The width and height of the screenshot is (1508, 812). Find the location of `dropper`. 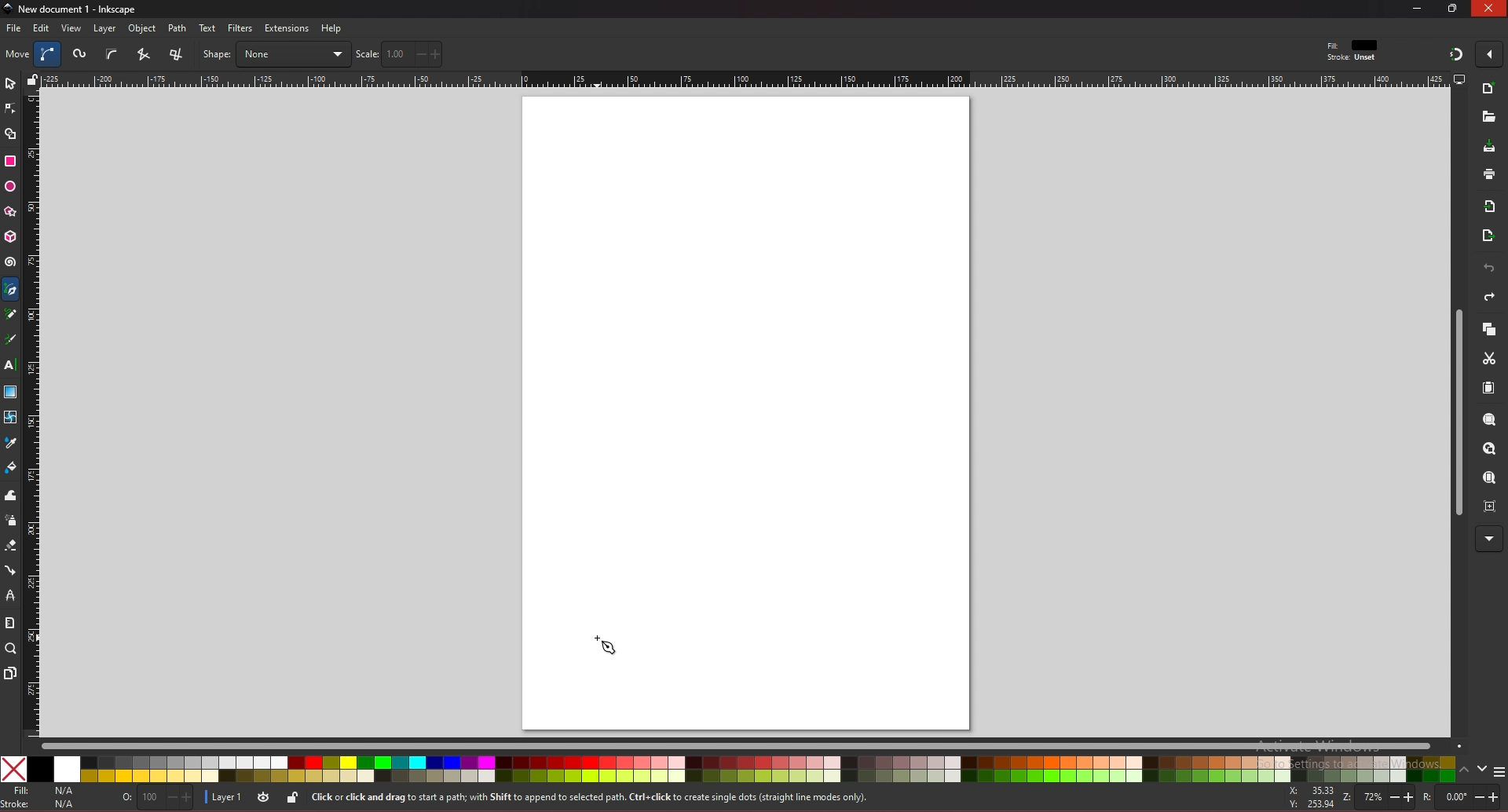

dropper is located at coordinates (11, 444).